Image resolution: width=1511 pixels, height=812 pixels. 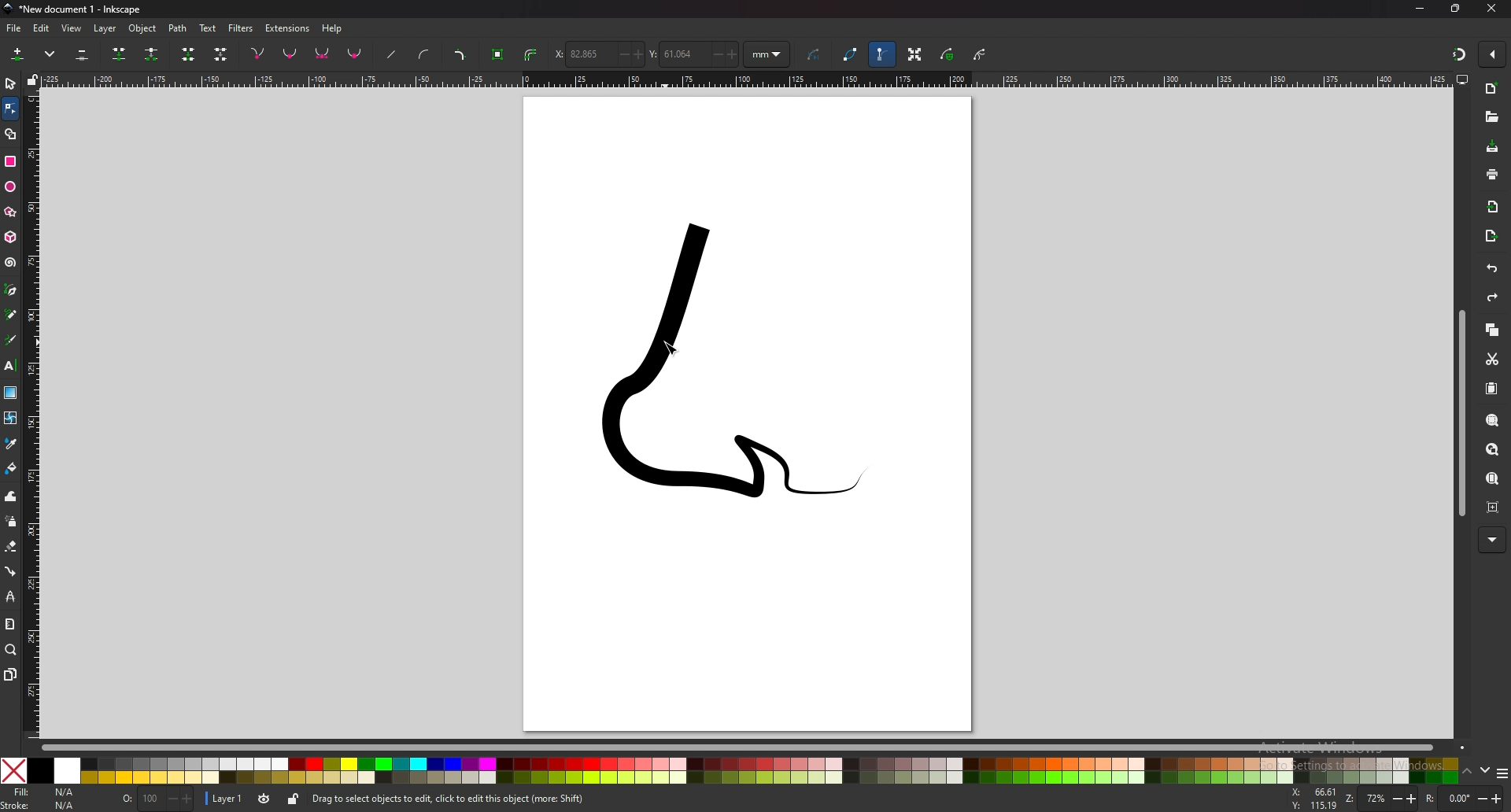 I want to click on spray, so click(x=12, y=522).